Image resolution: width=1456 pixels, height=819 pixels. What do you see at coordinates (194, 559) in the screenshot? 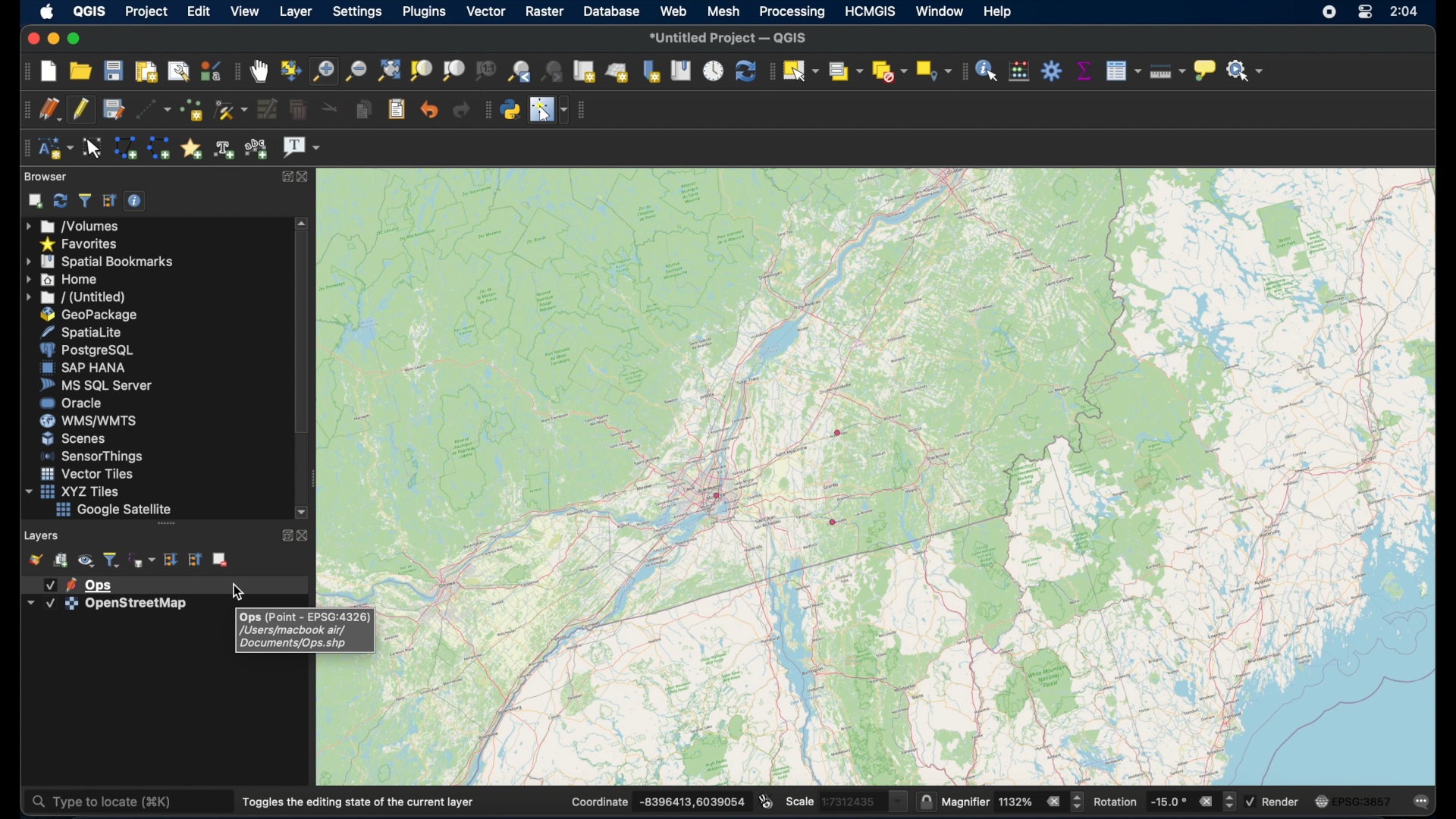
I see `collapse all` at bounding box center [194, 559].